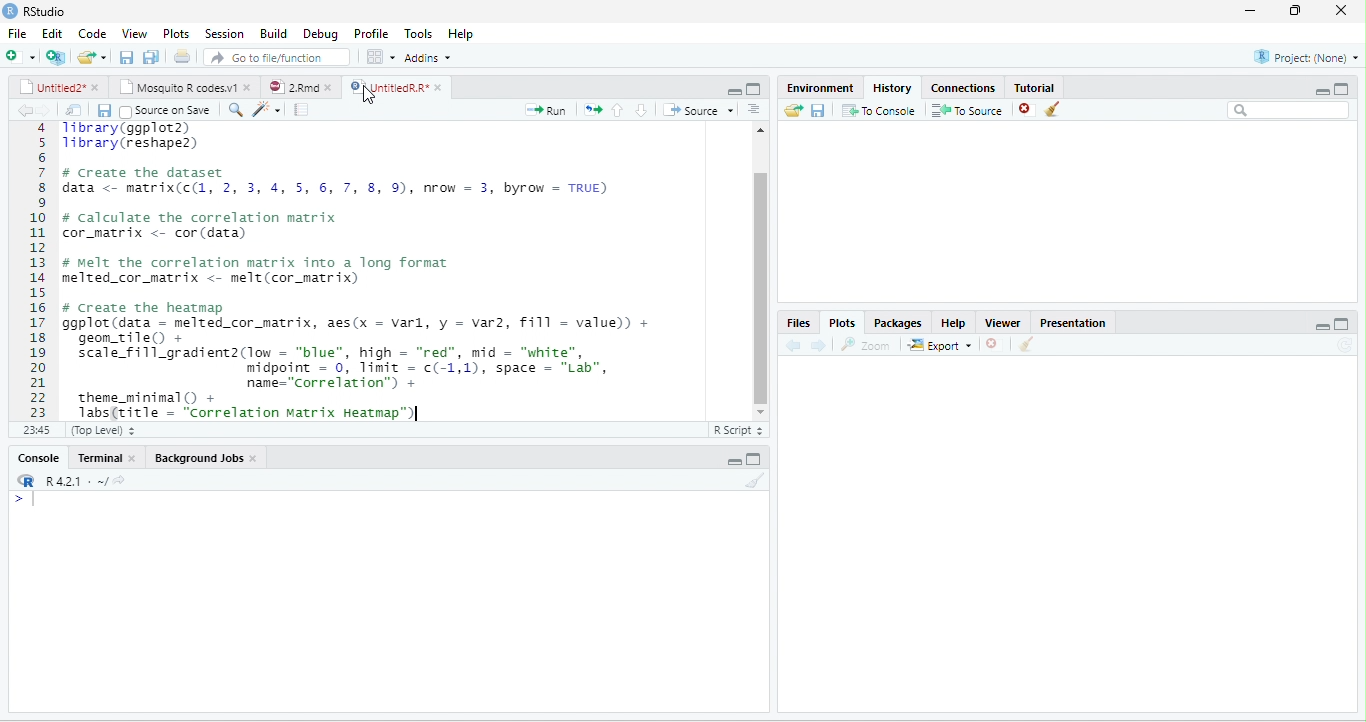 The image size is (1366, 722). What do you see at coordinates (273, 32) in the screenshot?
I see `build` at bounding box center [273, 32].